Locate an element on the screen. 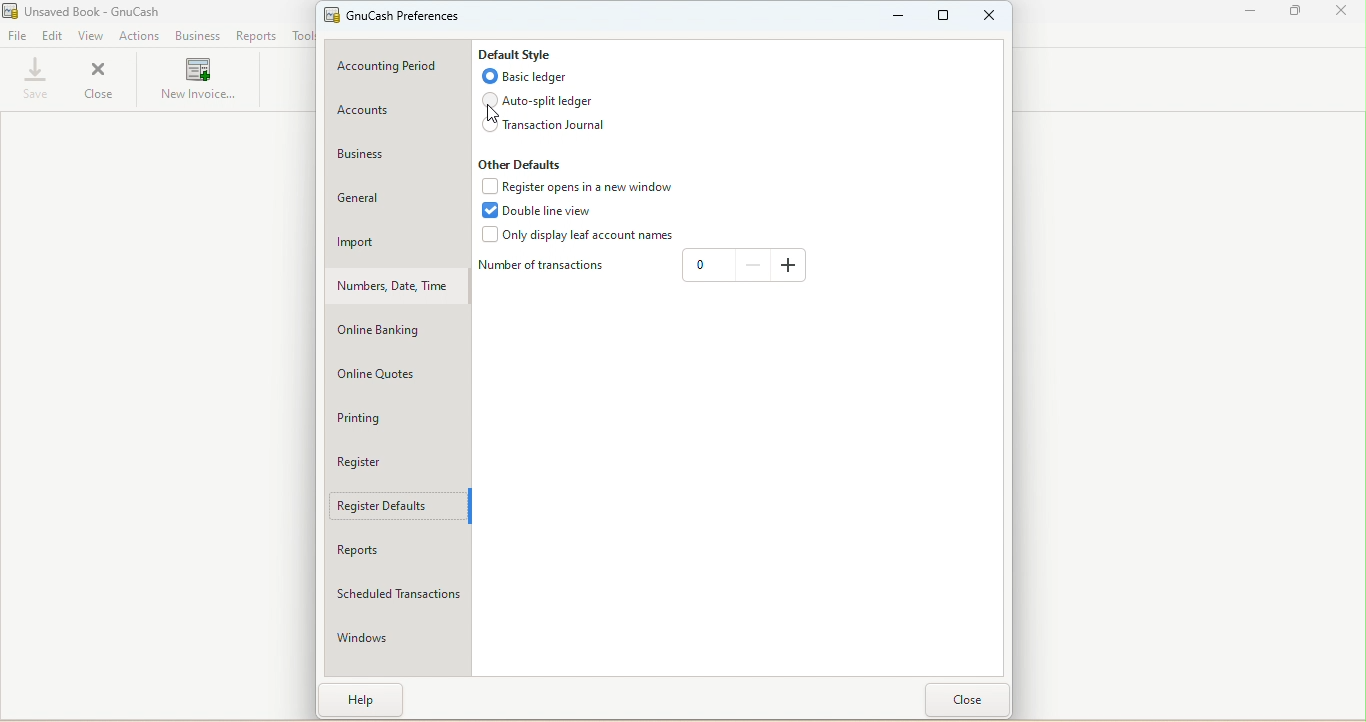 This screenshot has width=1366, height=722. Scheduled transactions is located at coordinates (398, 592).